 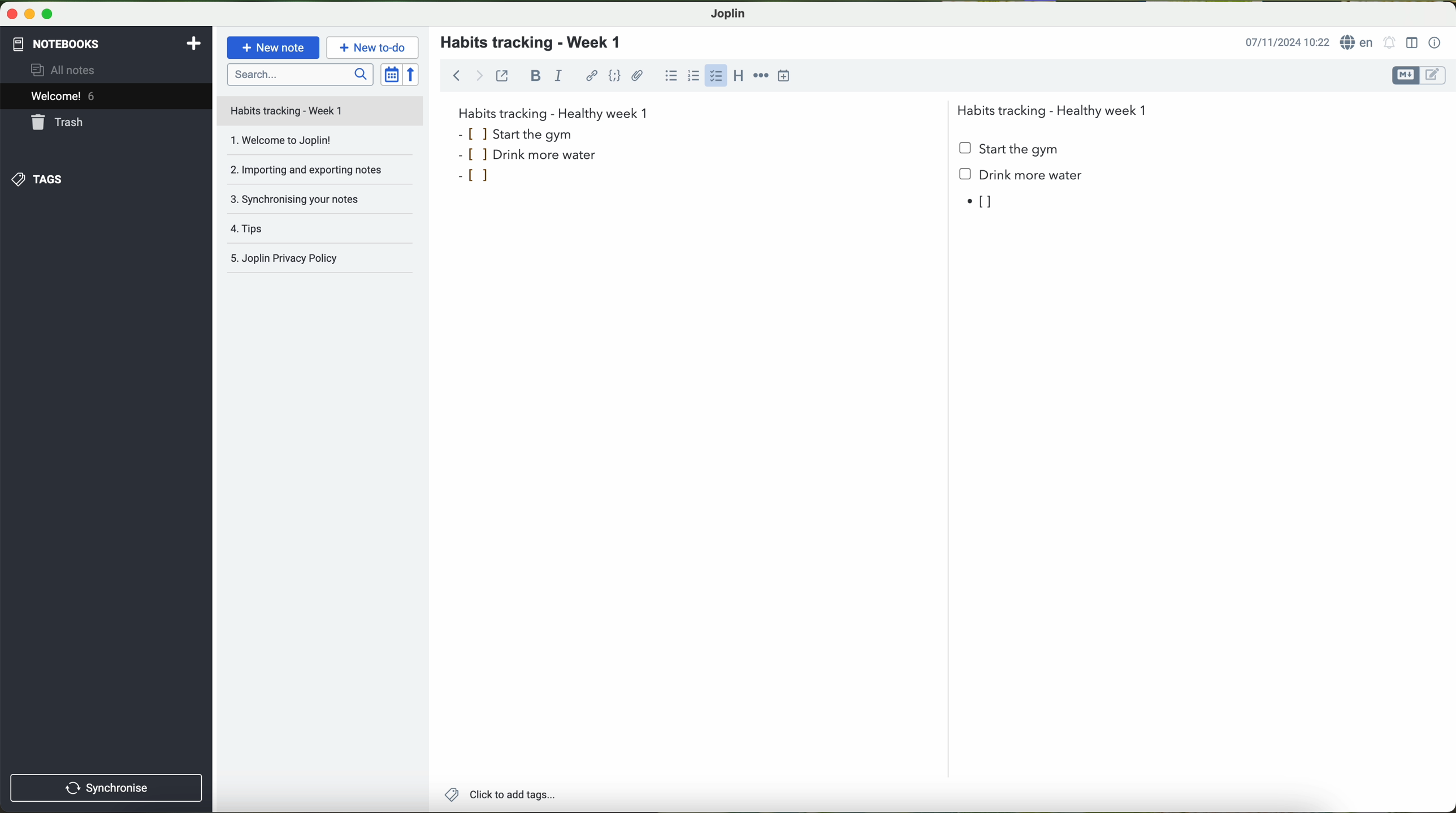 What do you see at coordinates (63, 96) in the screenshot?
I see `welcome 5` at bounding box center [63, 96].